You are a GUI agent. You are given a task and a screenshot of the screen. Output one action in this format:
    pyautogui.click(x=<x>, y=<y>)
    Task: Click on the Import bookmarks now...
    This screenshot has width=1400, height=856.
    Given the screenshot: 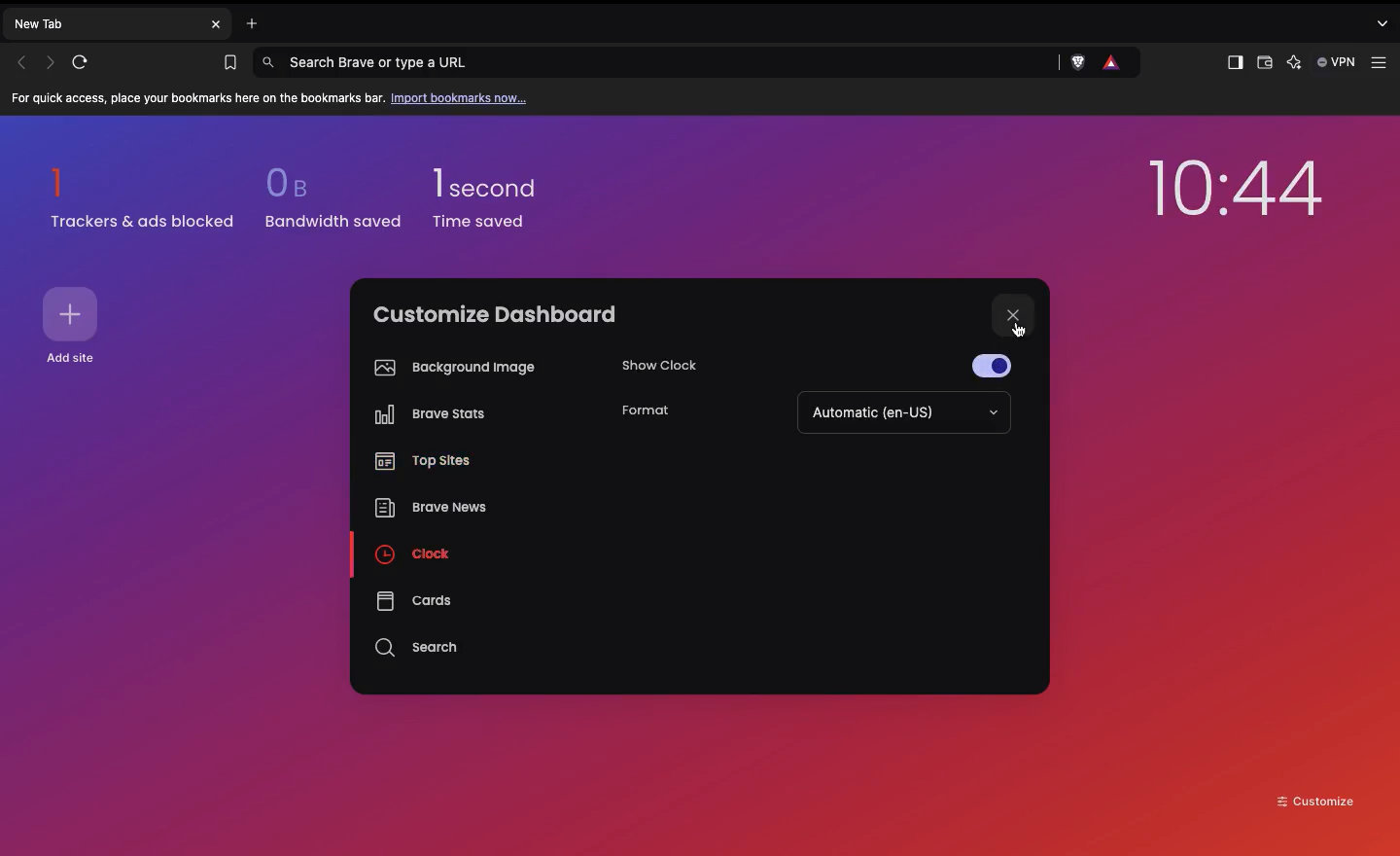 What is the action you would take?
    pyautogui.click(x=463, y=97)
    